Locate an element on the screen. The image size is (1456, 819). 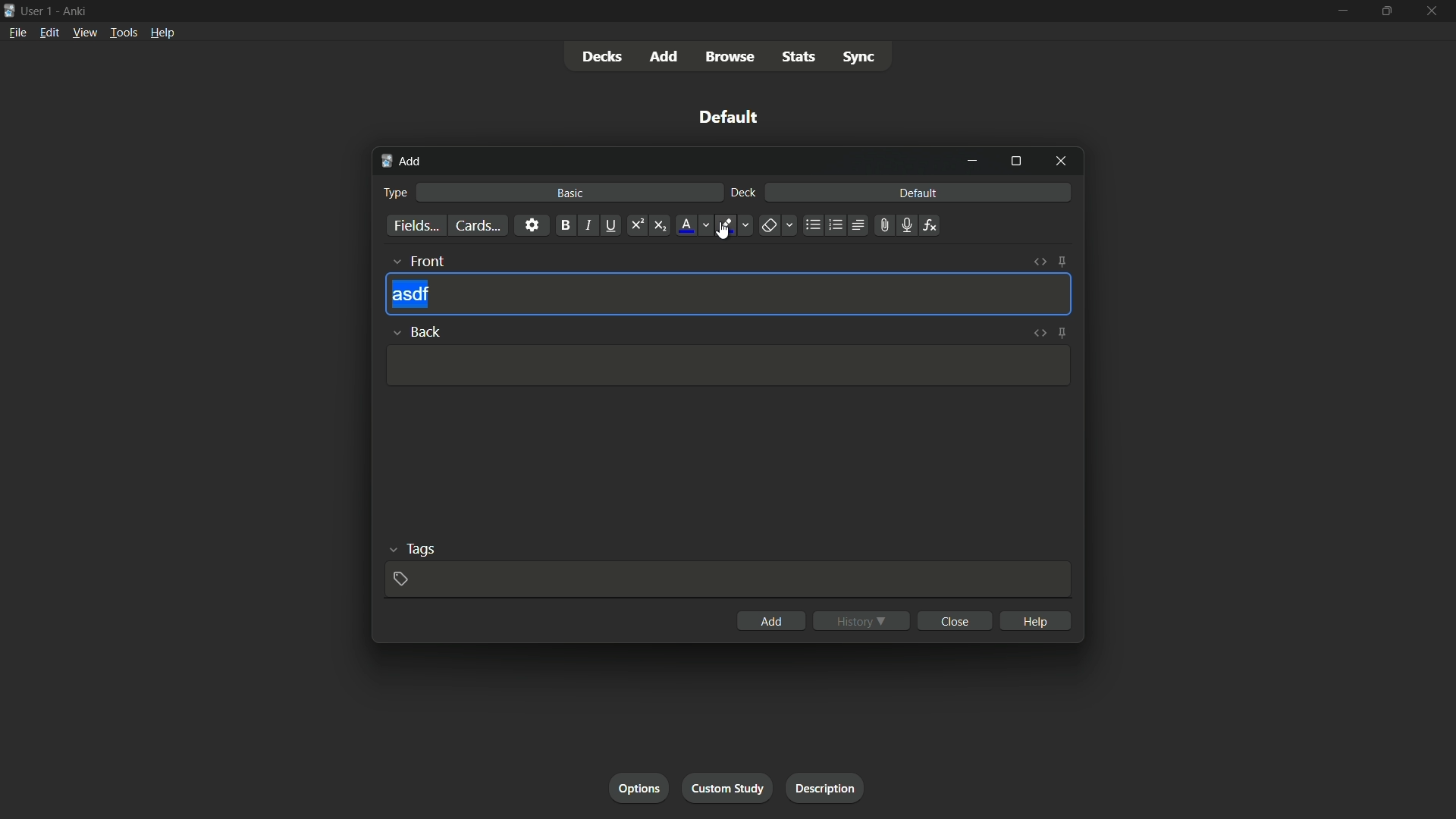
Input Template is located at coordinates (725, 366).